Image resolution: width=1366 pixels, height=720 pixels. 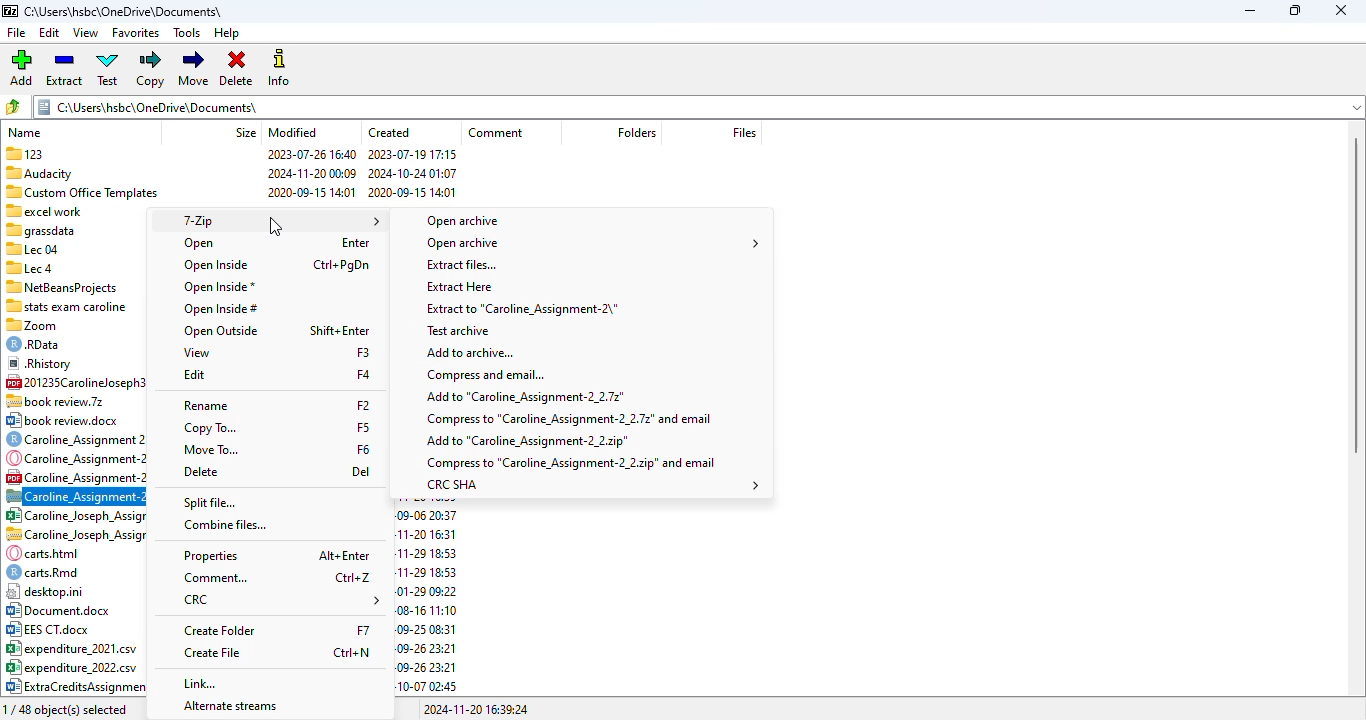 What do you see at coordinates (75, 649) in the screenshot?
I see `expenditure_2021.csv. 502 2023-10-06 15:41 2023-09-26 23:21` at bounding box center [75, 649].